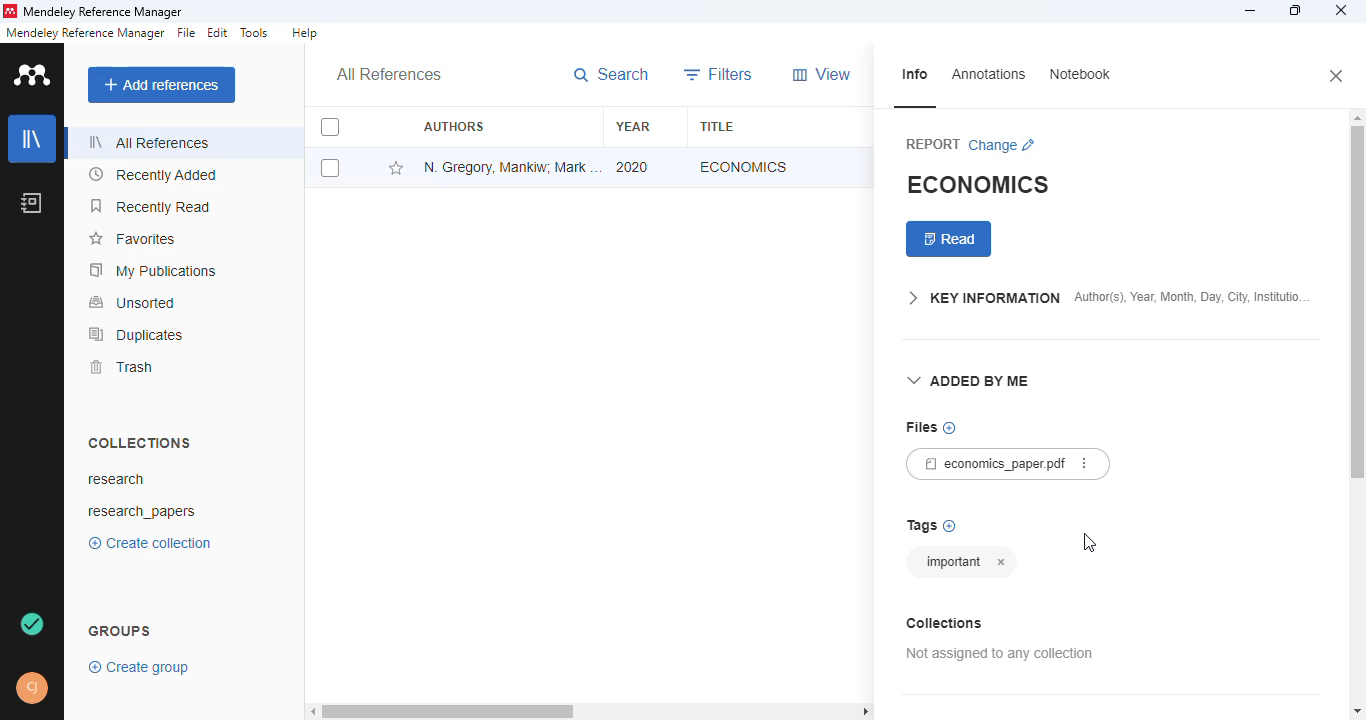  I want to click on economics_paper.pdf, so click(987, 463).